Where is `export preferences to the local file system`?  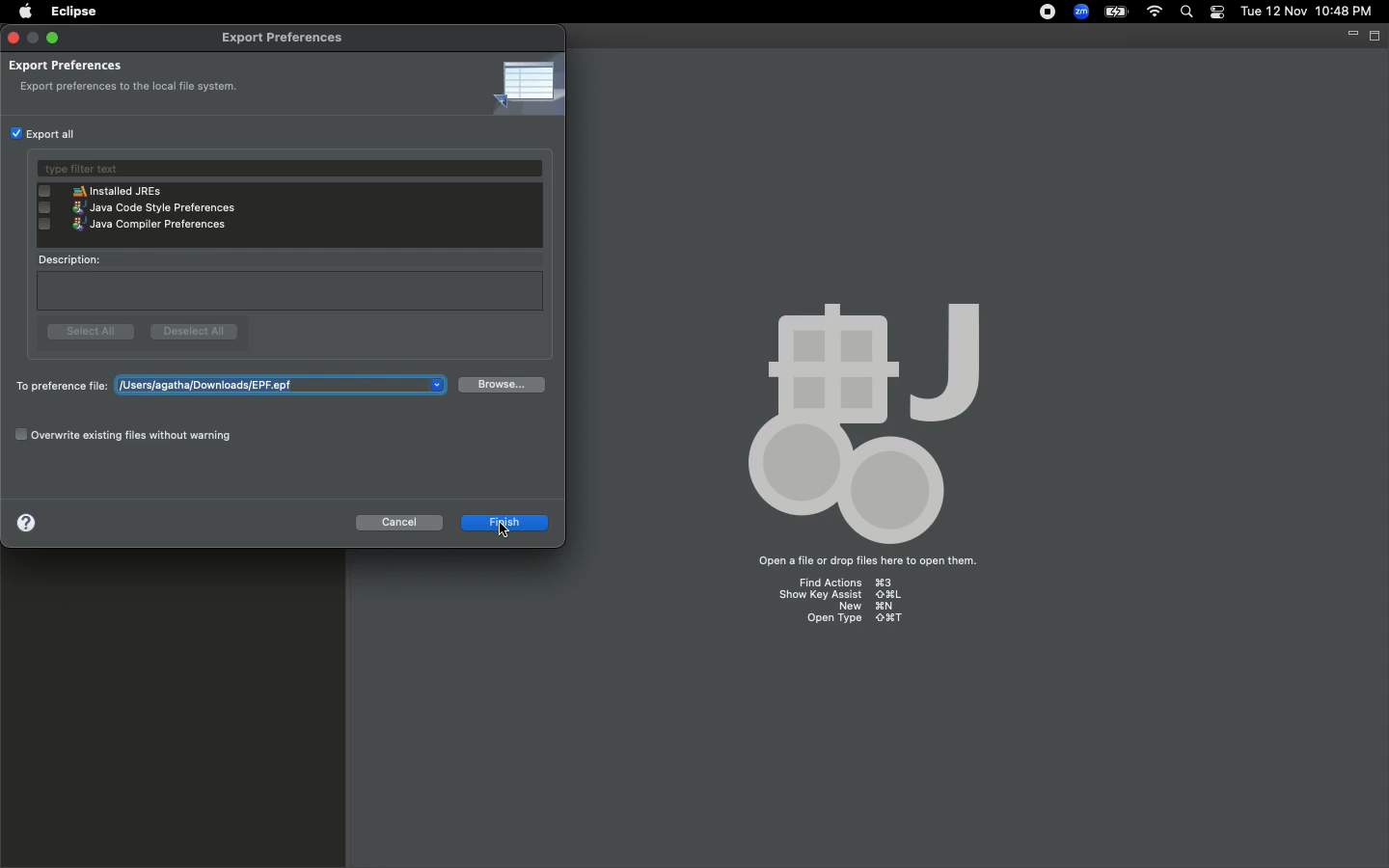 export preferences to the local file system is located at coordinates (126, 88).